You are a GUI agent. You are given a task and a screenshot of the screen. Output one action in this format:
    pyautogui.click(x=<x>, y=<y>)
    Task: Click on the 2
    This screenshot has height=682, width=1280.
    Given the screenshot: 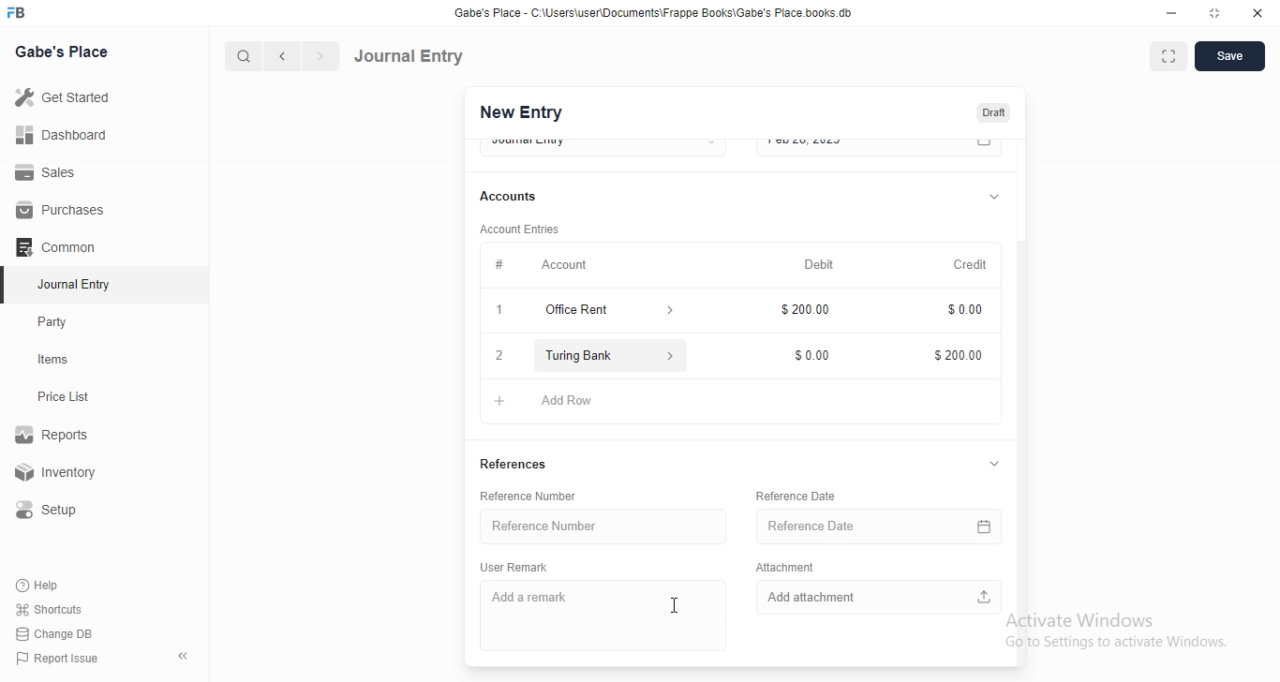 What is the action you would take?
    pyautogui.click(x=496, y=356)
    